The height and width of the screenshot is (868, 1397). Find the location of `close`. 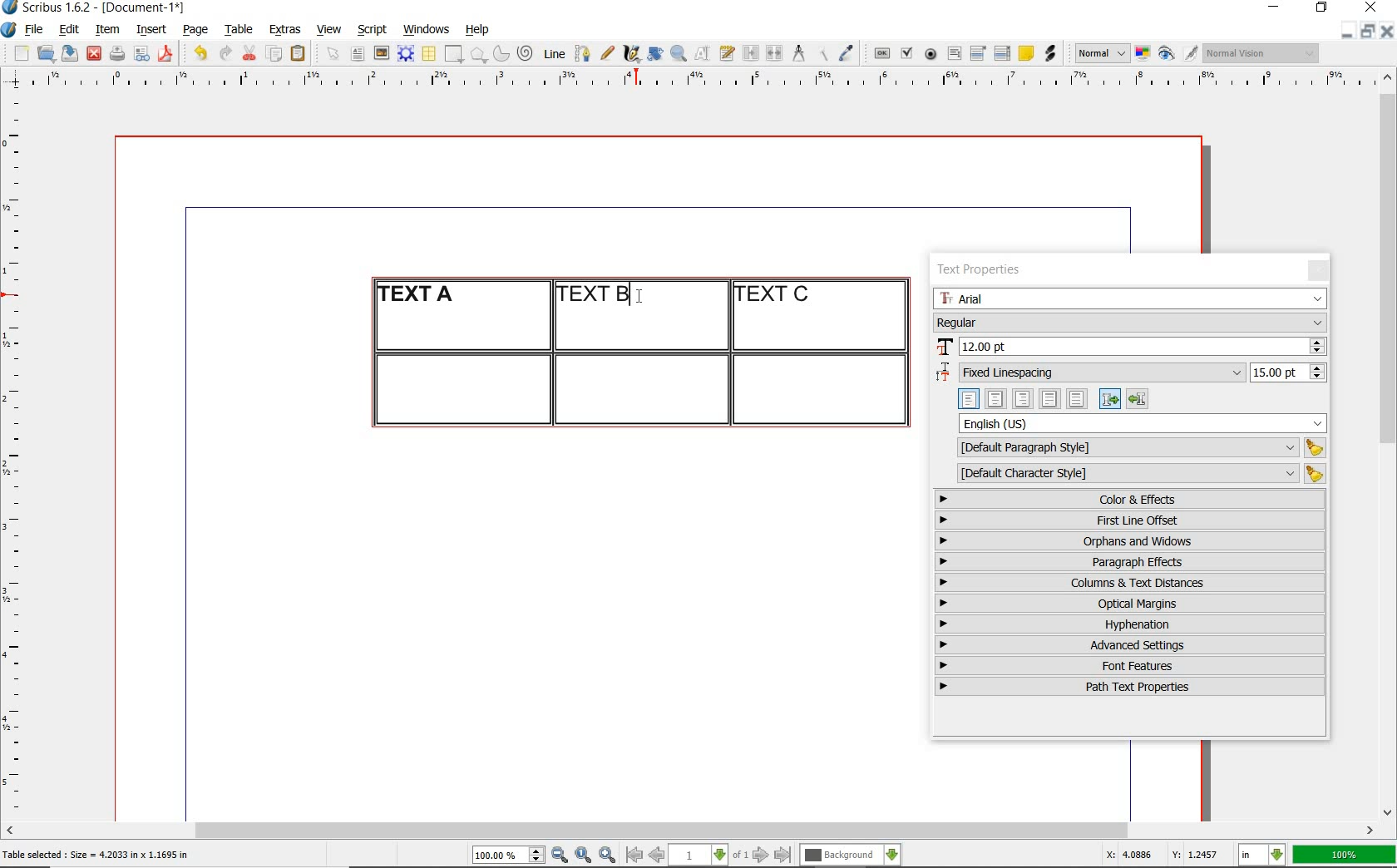

close is located at coordinates (1374, 7).